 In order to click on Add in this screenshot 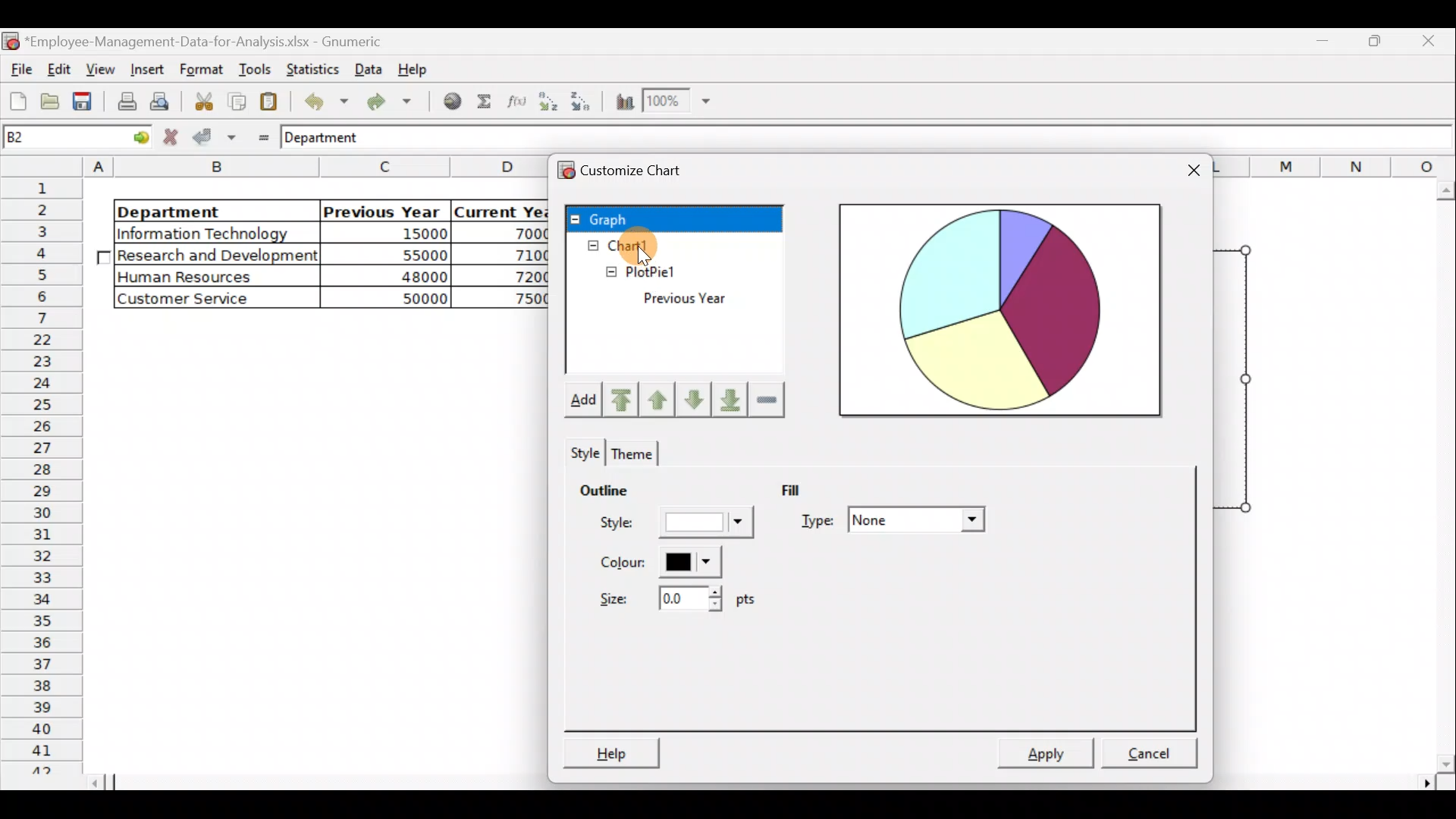, I will do `click(578, 397)`.